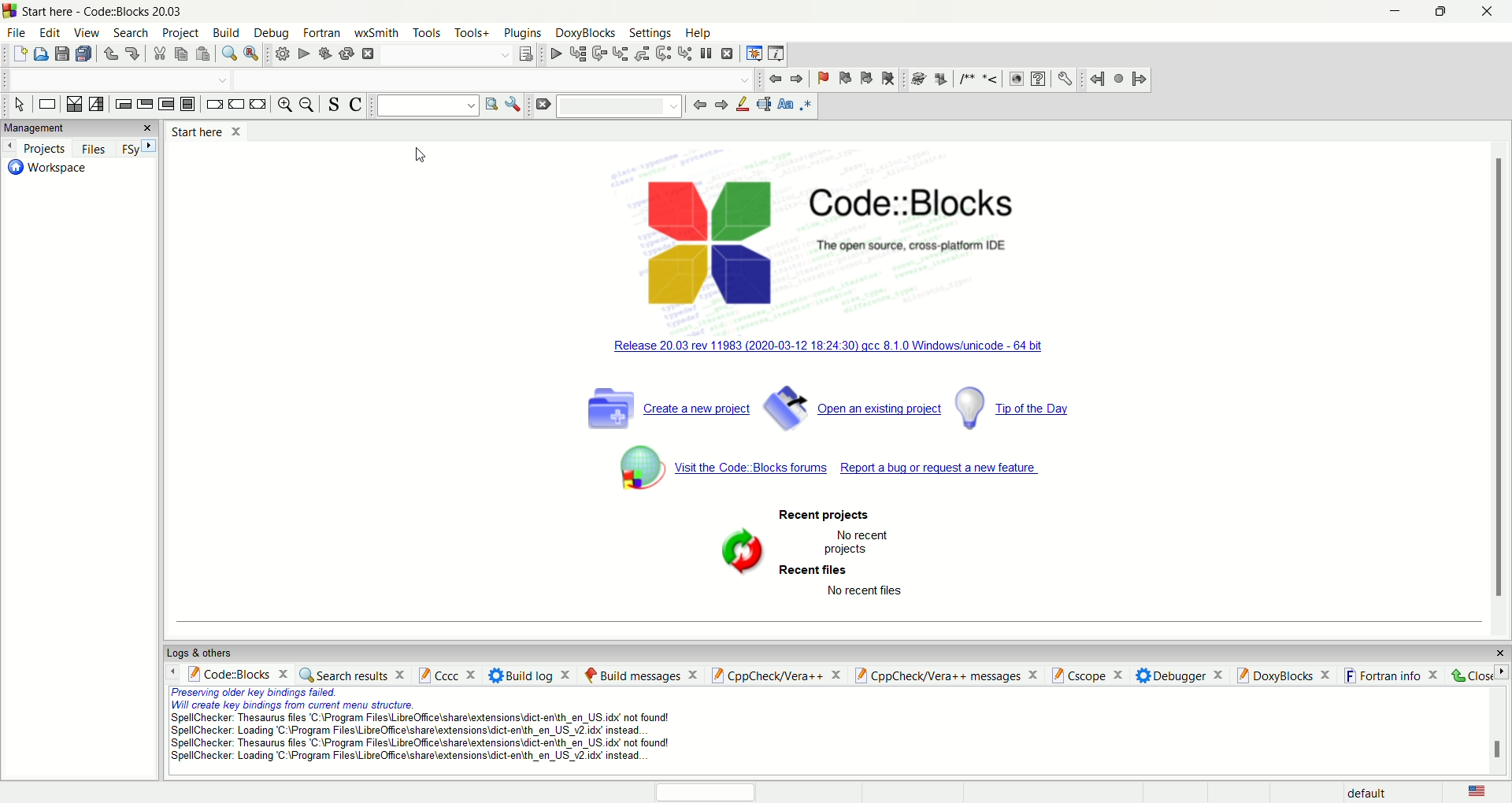  I want to click on Search, so click(620, 106).